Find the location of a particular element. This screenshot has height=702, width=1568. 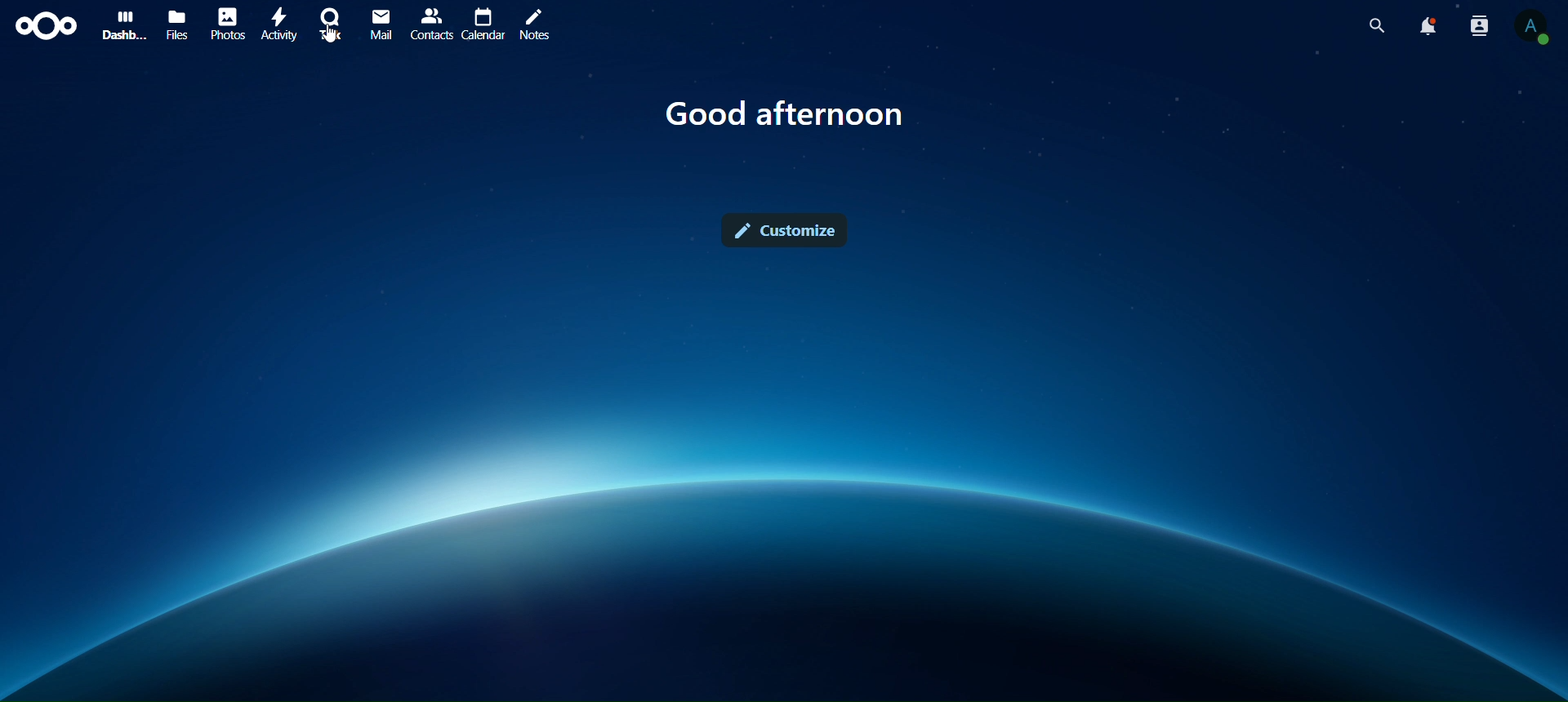

search notifications is located at coordinates (1479, 27).